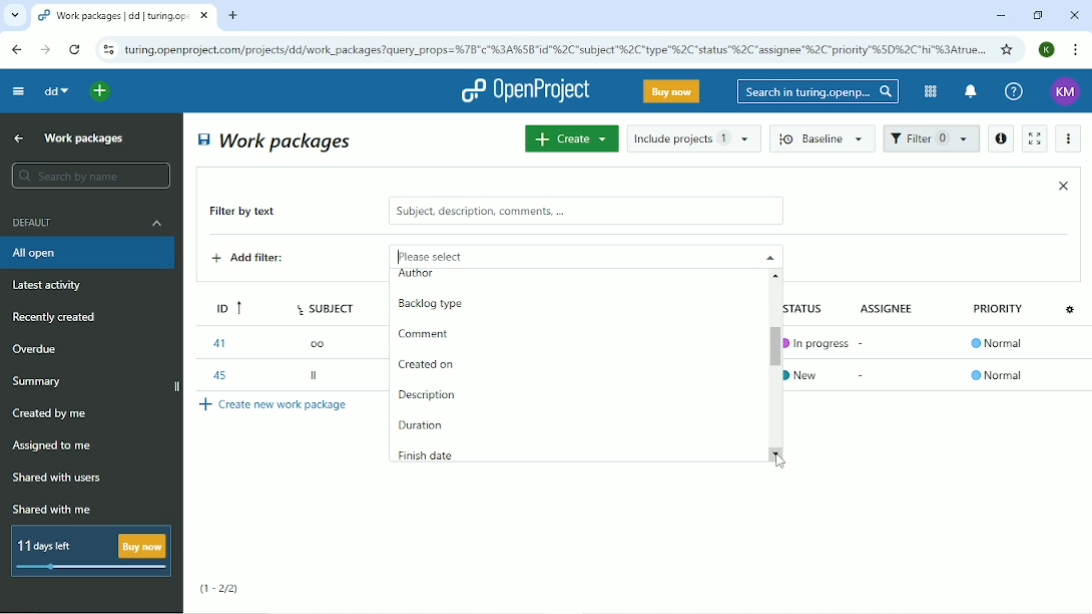 The height and width of the screenshot is (614, 1092). I want to click on Search, so click(818, 91).